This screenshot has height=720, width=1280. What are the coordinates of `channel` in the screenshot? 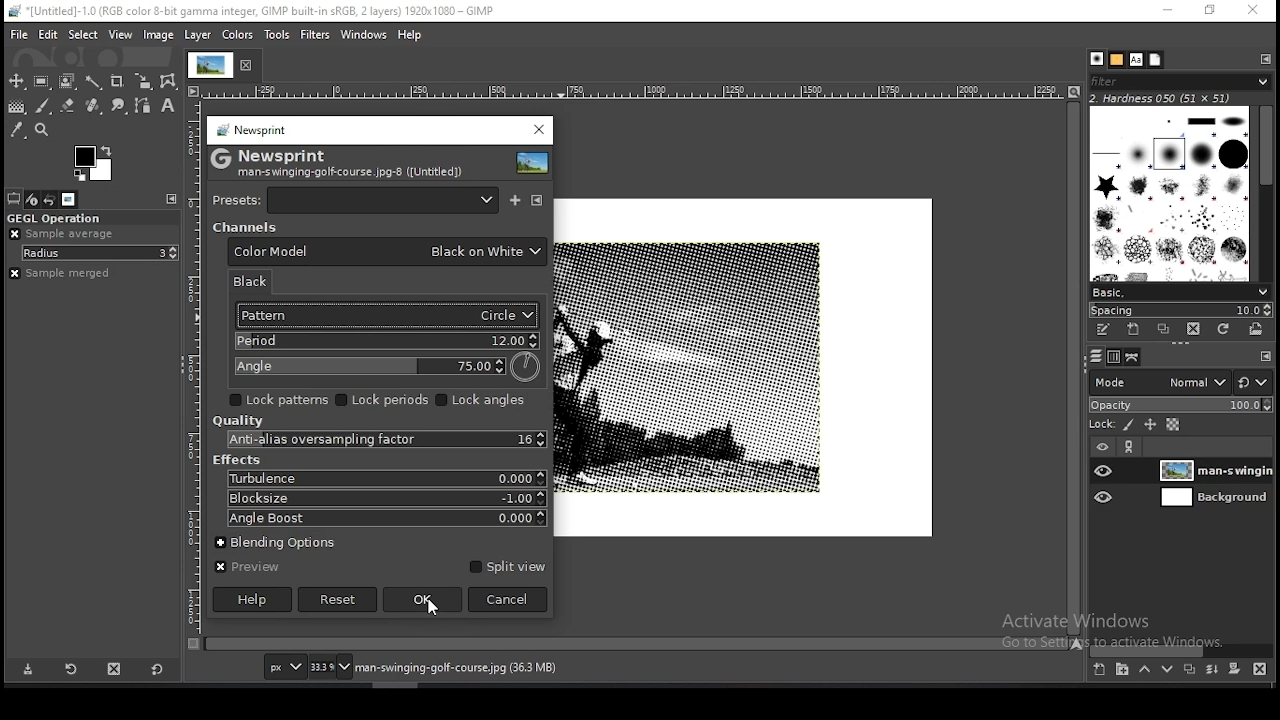 It's located at (244, 227).